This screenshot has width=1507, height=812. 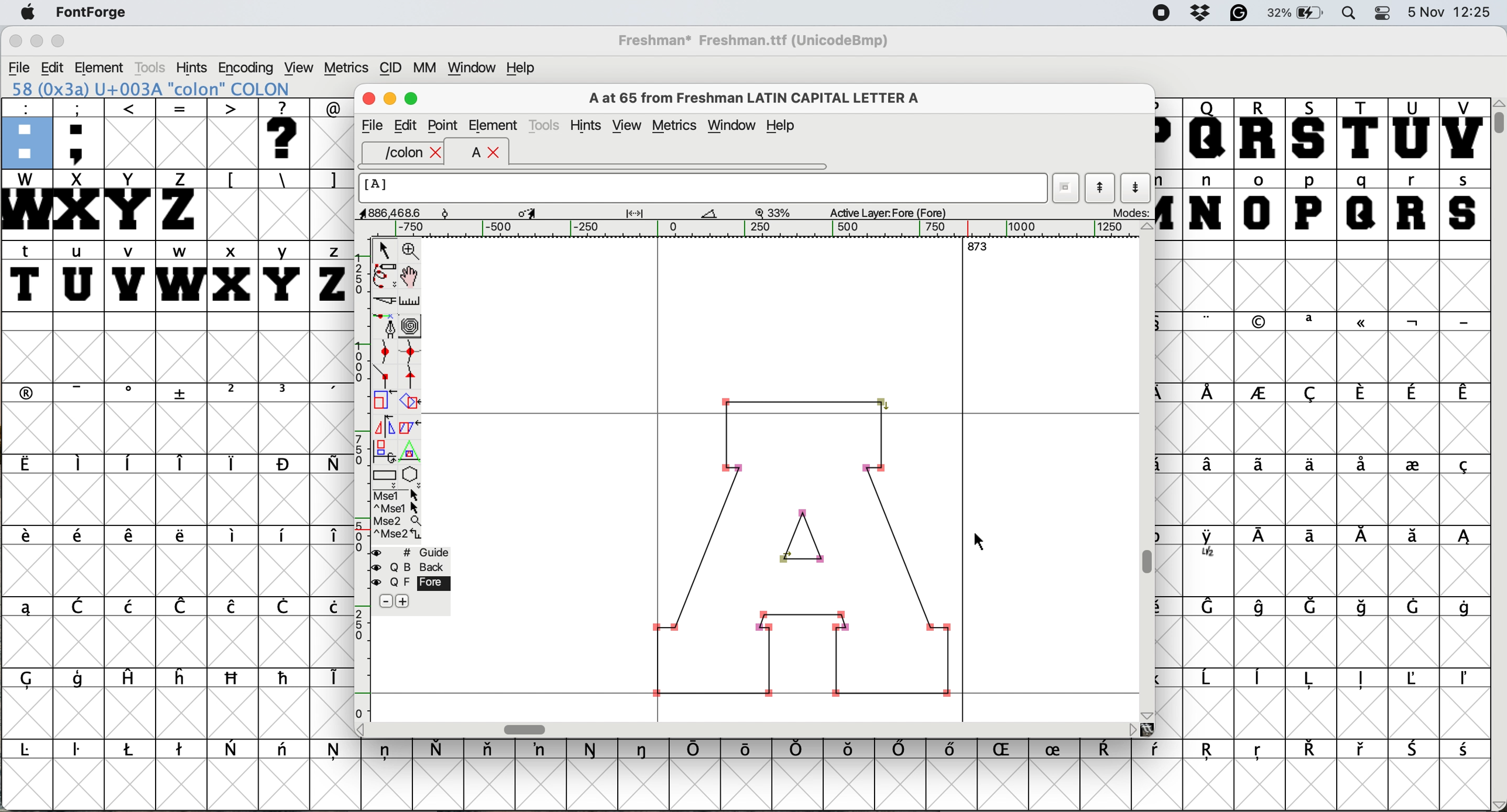 What do you see at coordinates (383, 422) in the screenshot?
I see `flip the selection` at bounding box center [383, 422].